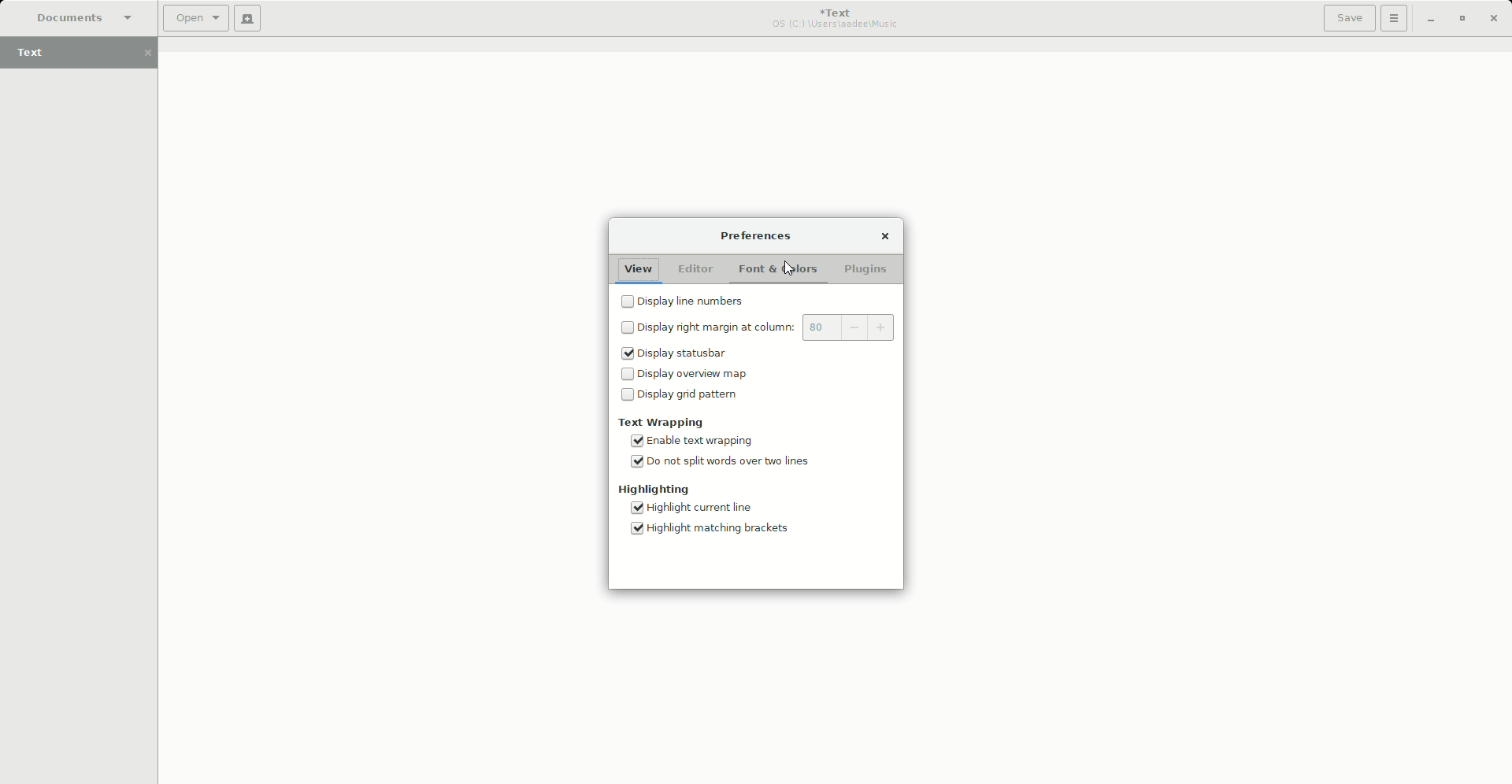 This screenshot has width=1512, height=784. What do you see at coordinates (838, 18) in the screenshot?
I see `Text` at bounding box center [838, 18].